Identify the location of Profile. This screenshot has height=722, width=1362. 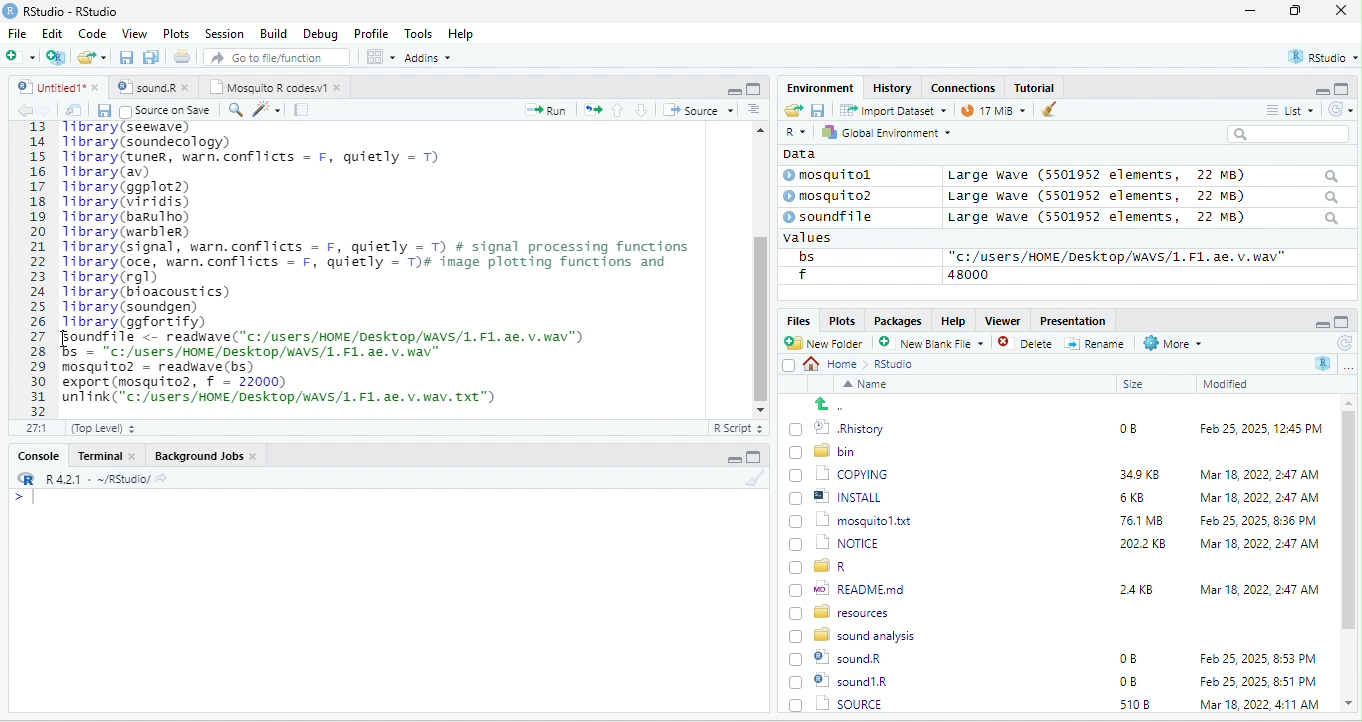
(371, 34).